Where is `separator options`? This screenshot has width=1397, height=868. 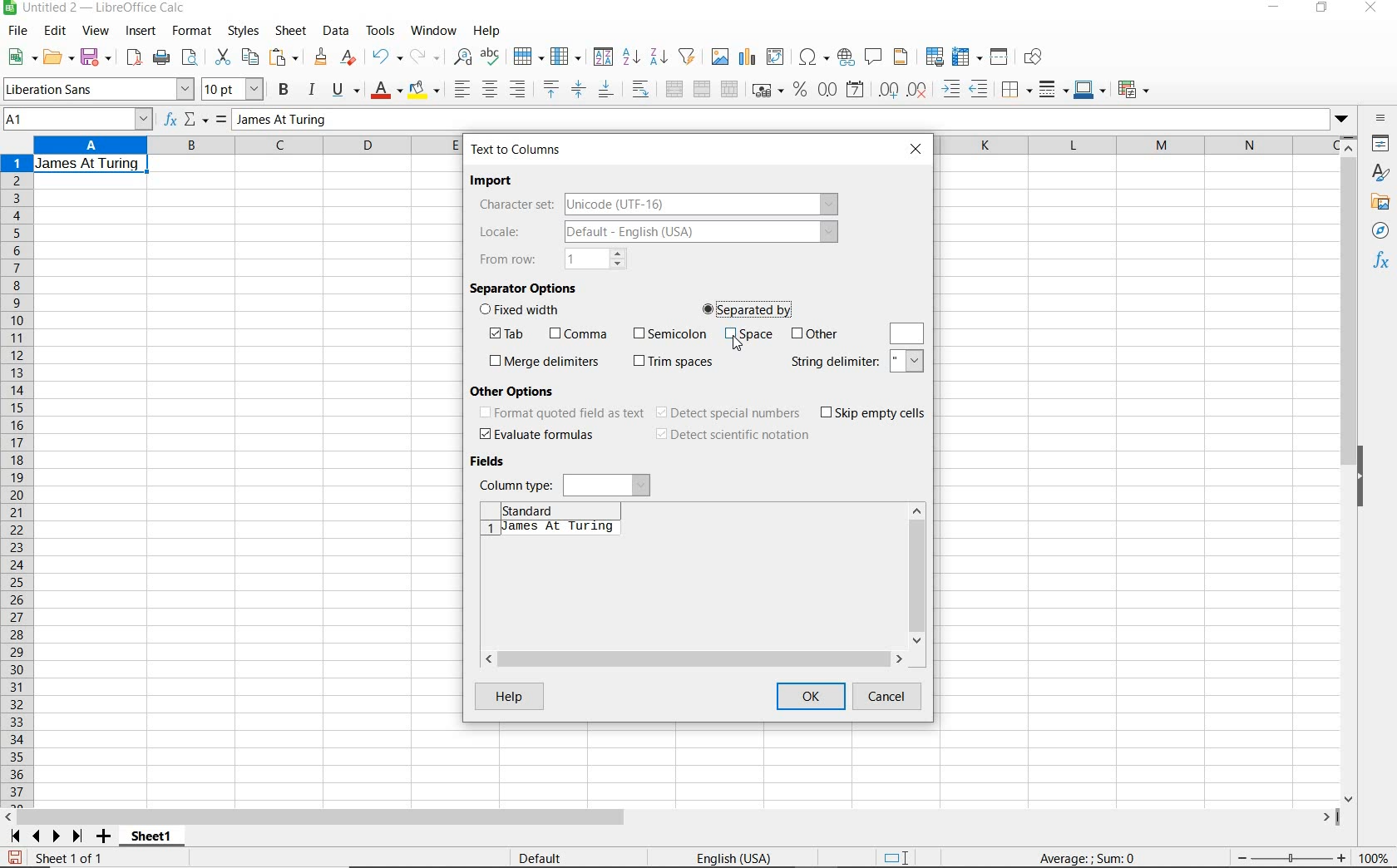
separator options is located at coordinates (526, 287).